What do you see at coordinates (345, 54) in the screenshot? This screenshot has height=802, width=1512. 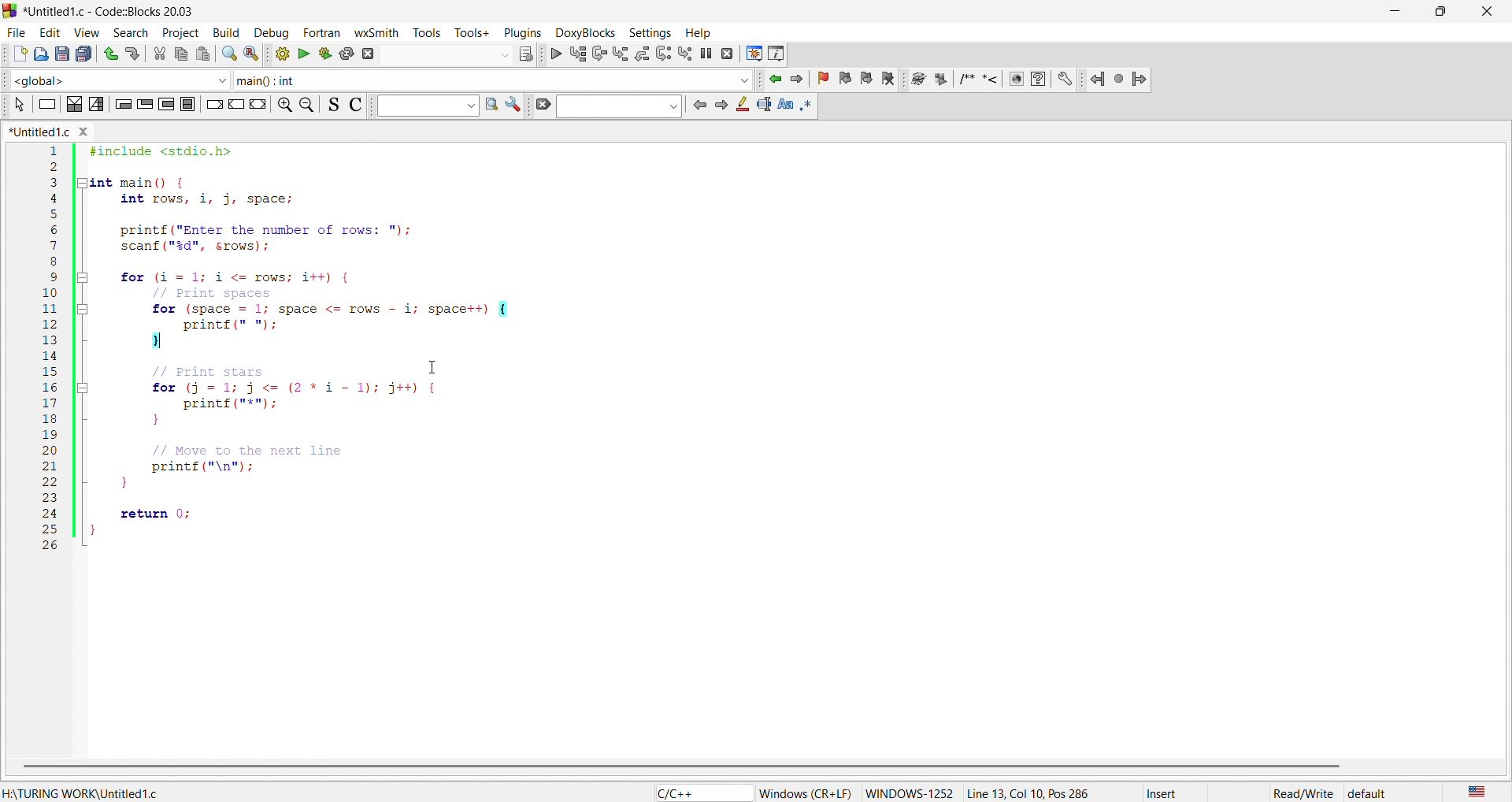 I see `rebuild` at bounding box center [345, 54].